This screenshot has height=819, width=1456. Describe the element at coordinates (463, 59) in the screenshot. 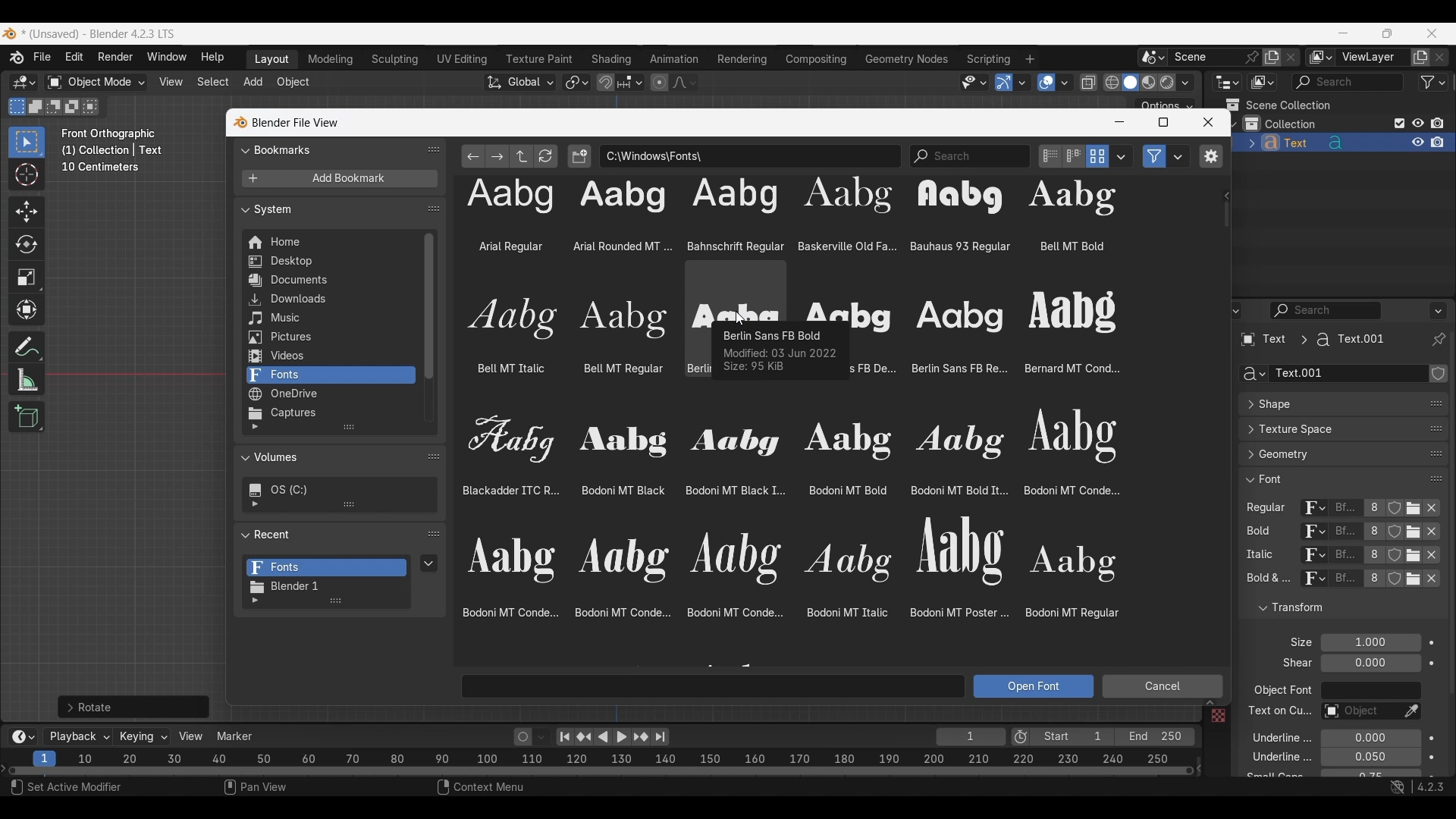

I see `UV Editing workspace` at that location.